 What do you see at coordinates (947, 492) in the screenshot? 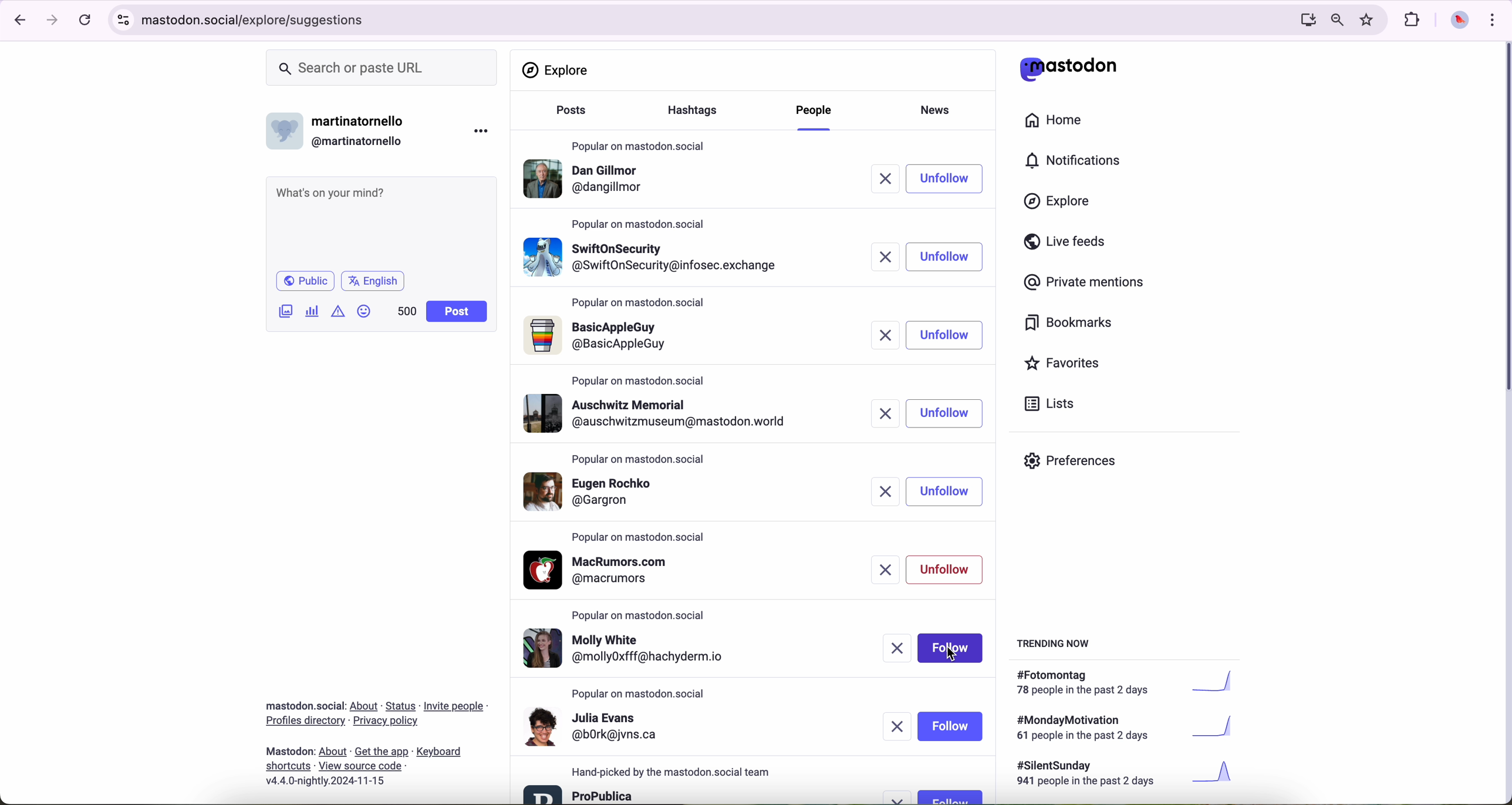
I see `unfollow` at bounding box center [947, 492].